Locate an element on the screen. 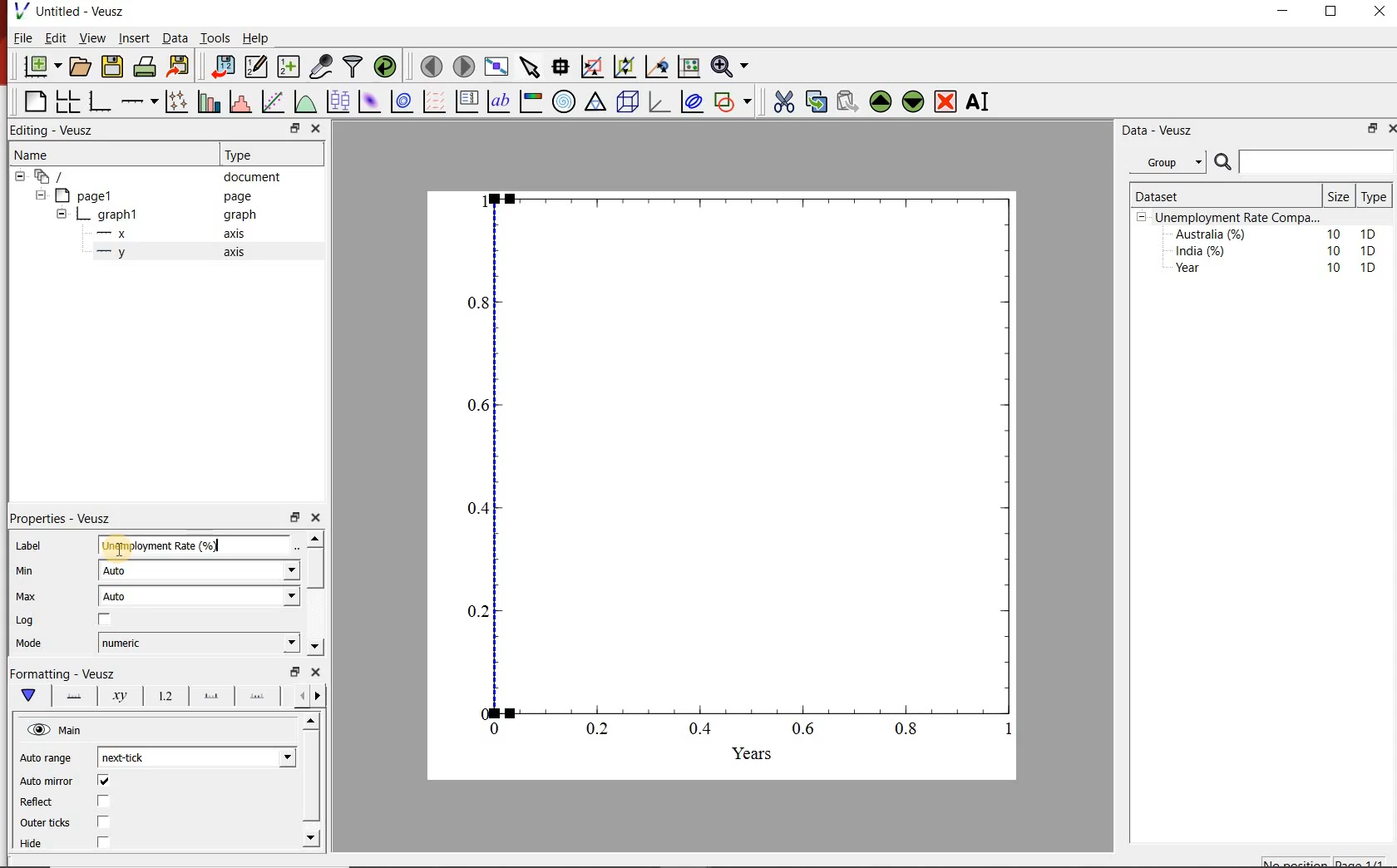  Reflect is located at coordinates (37, 803).